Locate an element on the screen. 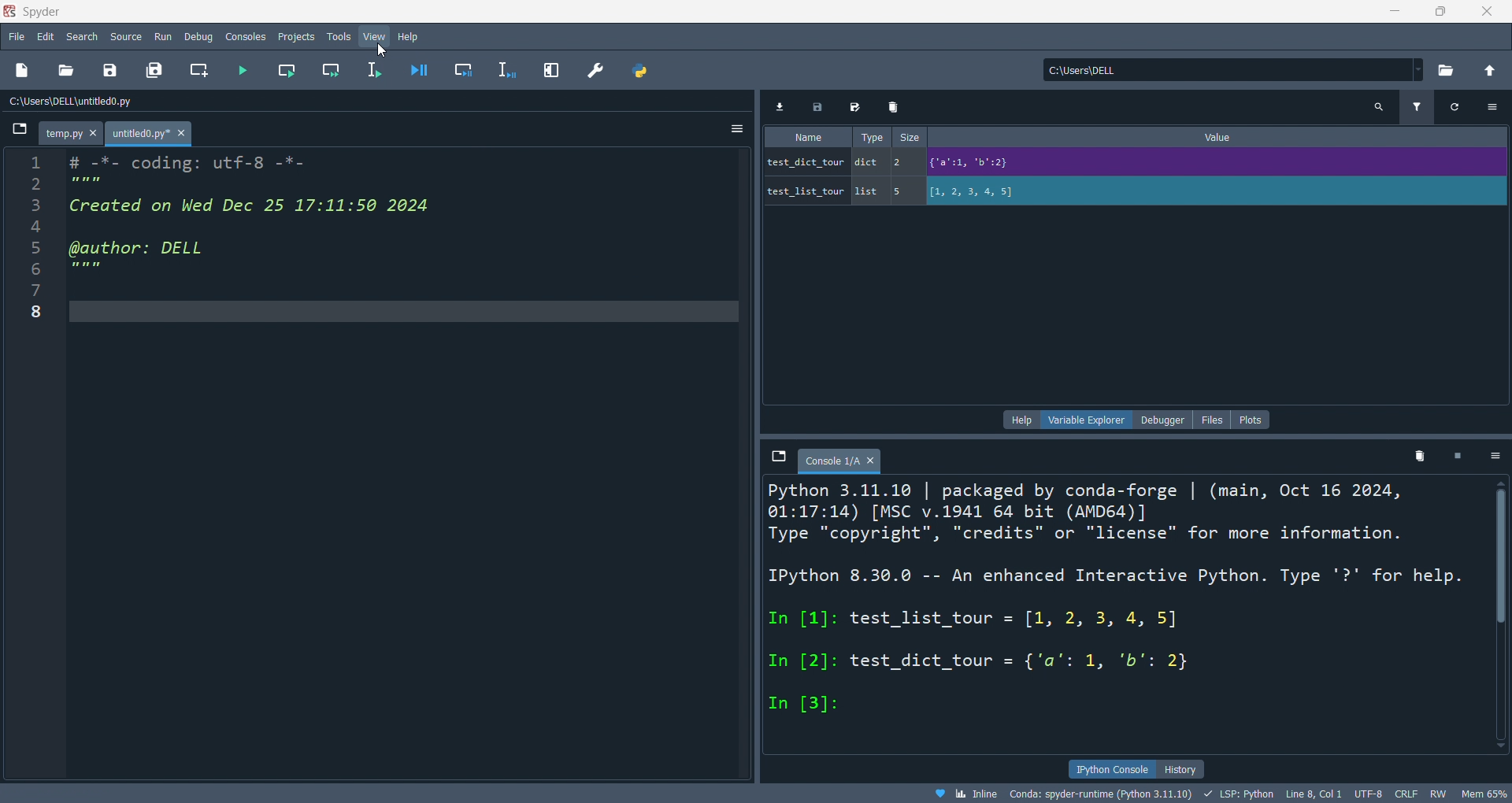 Image resolution: width=1512 pixels, height=803 pixels. options is located at coordinates (1494, 457).